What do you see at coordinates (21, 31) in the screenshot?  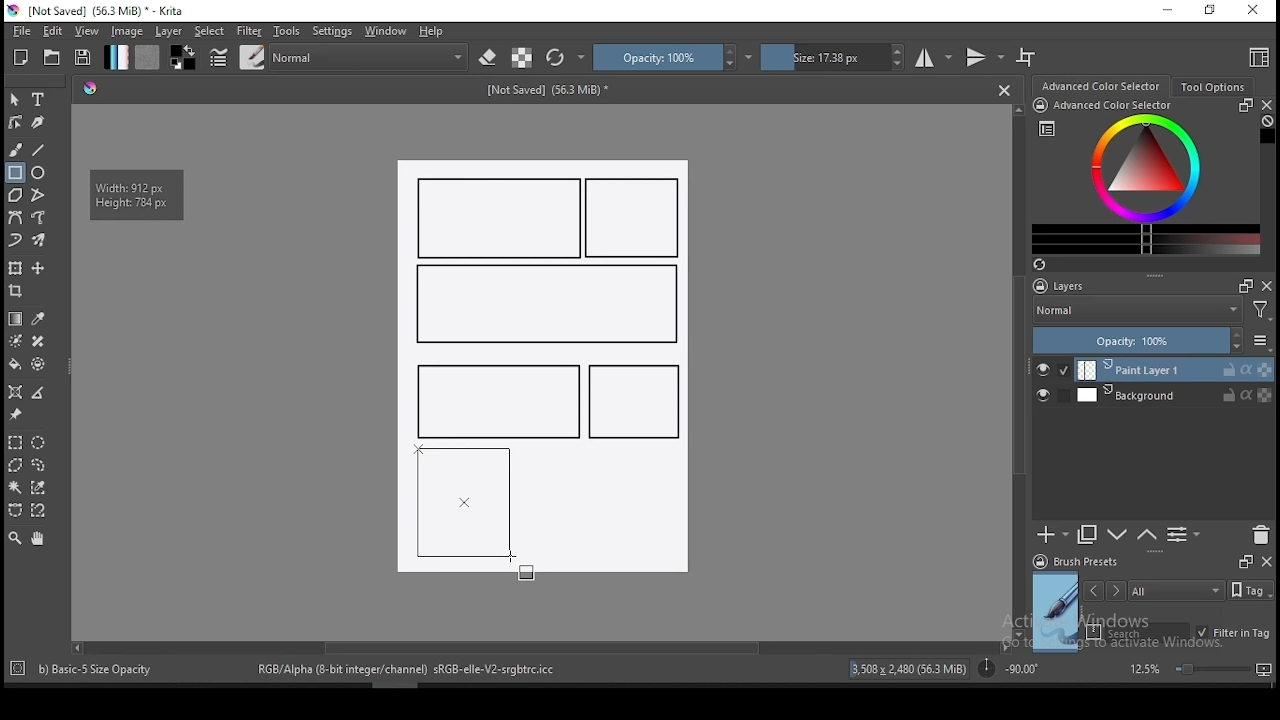 I see `file` at bounding box center [21, 31].